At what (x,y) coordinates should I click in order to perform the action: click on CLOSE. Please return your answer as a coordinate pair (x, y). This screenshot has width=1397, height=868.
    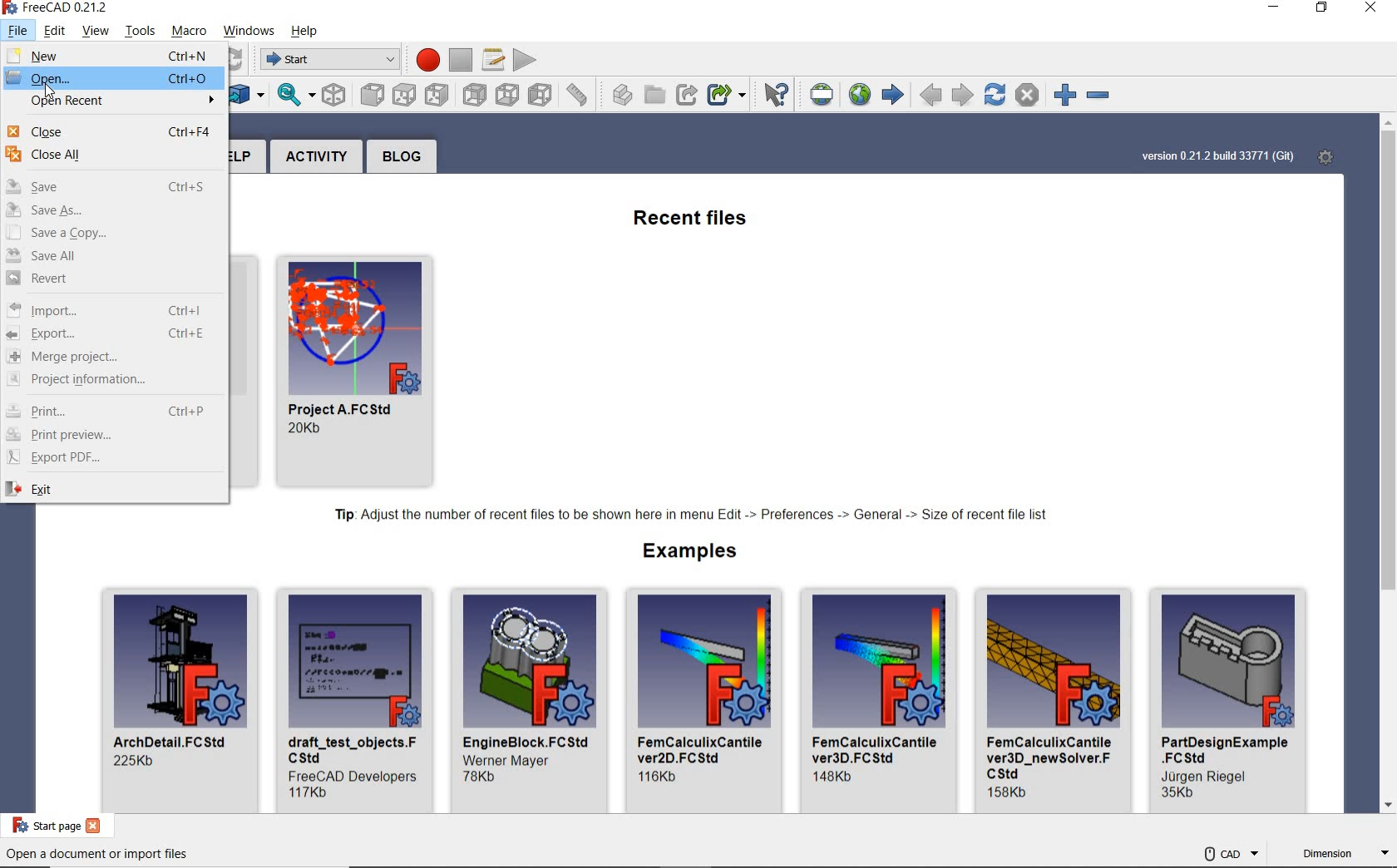
    Looking at the image, I should click on (1370, 9).